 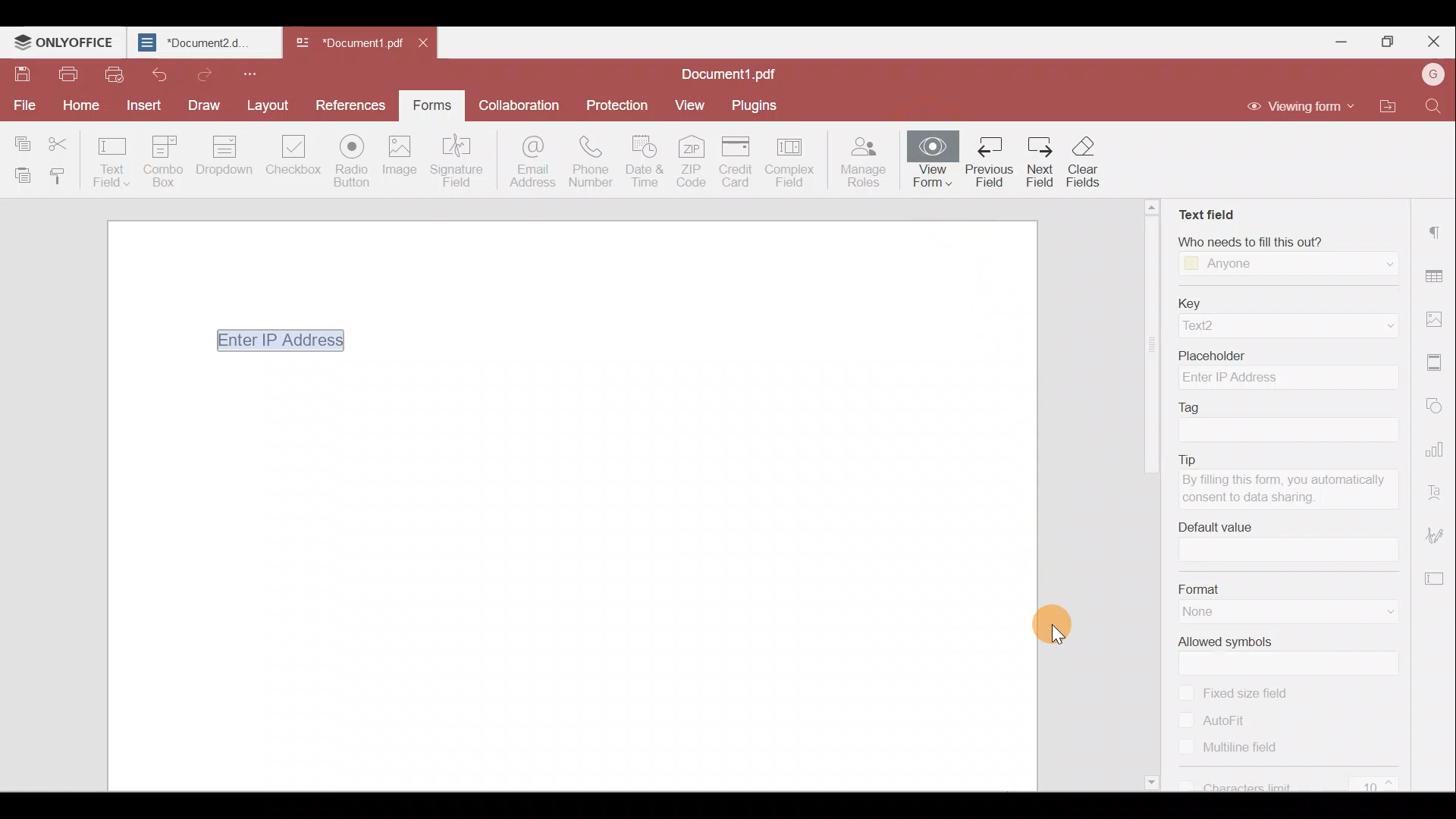 I want to click on Dropdown, so click(x=1359, y=326).